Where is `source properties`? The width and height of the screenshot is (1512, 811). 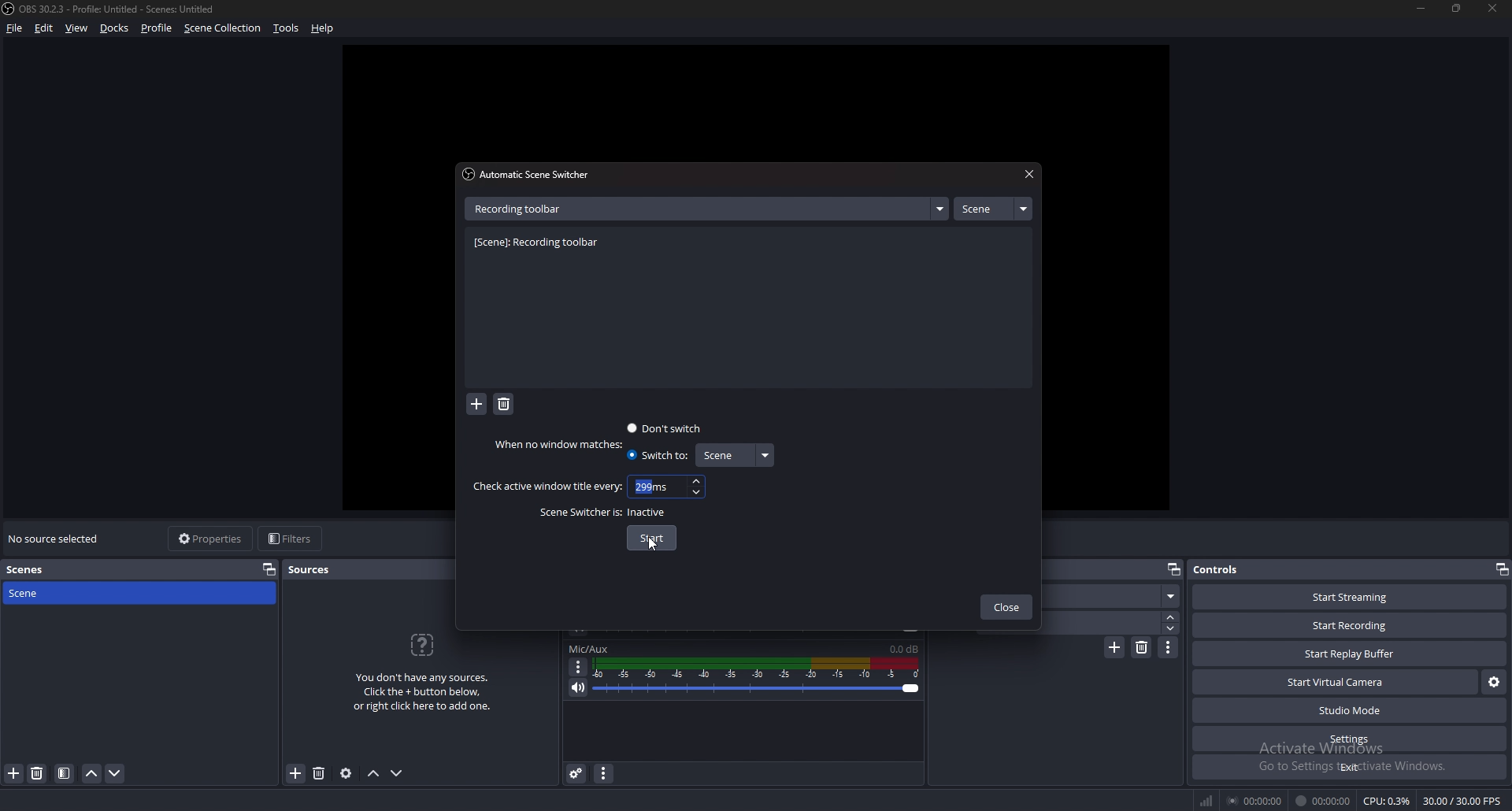 source properties is located at coordinates (346, 772).